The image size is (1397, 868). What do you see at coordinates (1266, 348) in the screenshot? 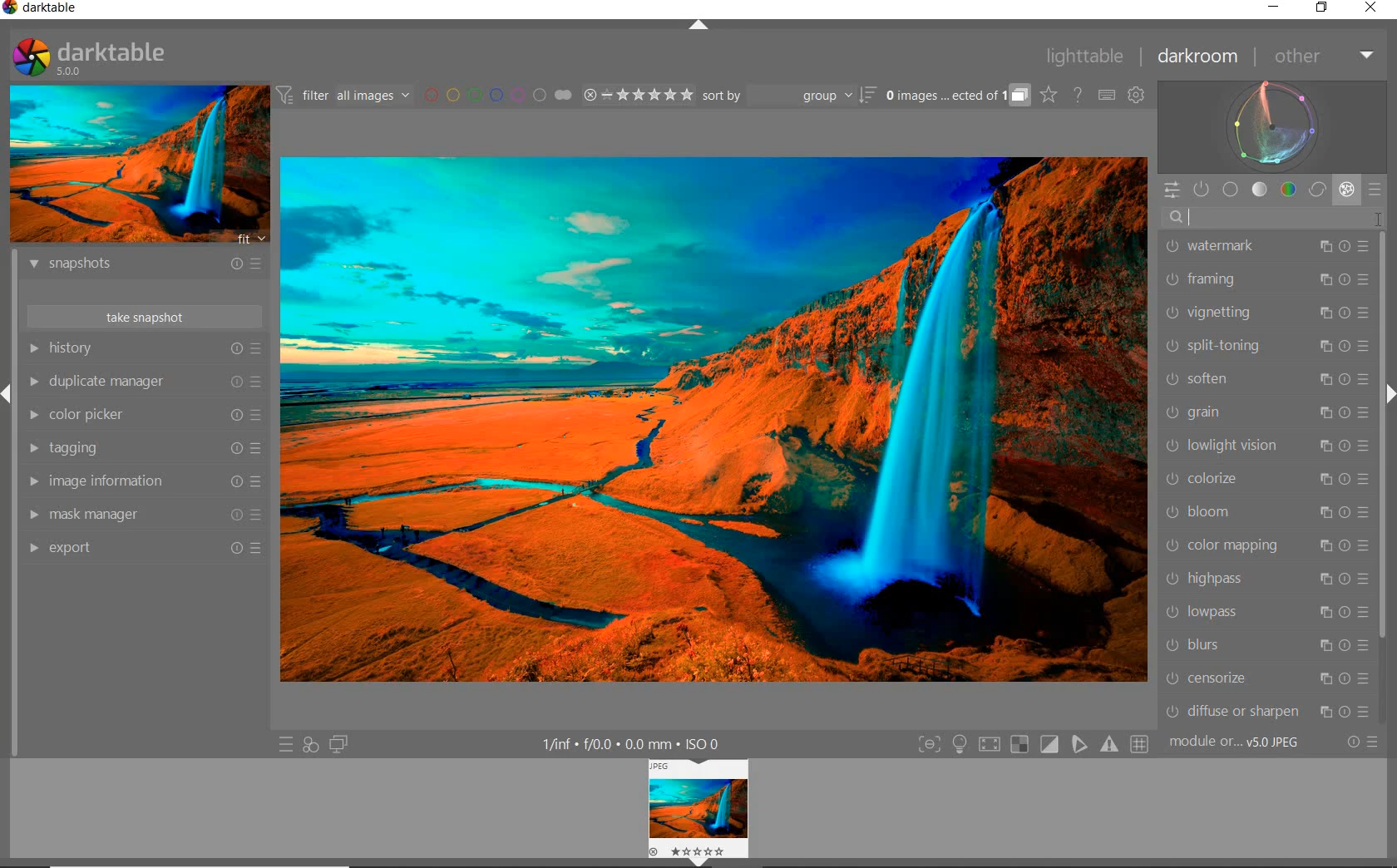
I see `split-toning` at bounding box center [1266, 348].